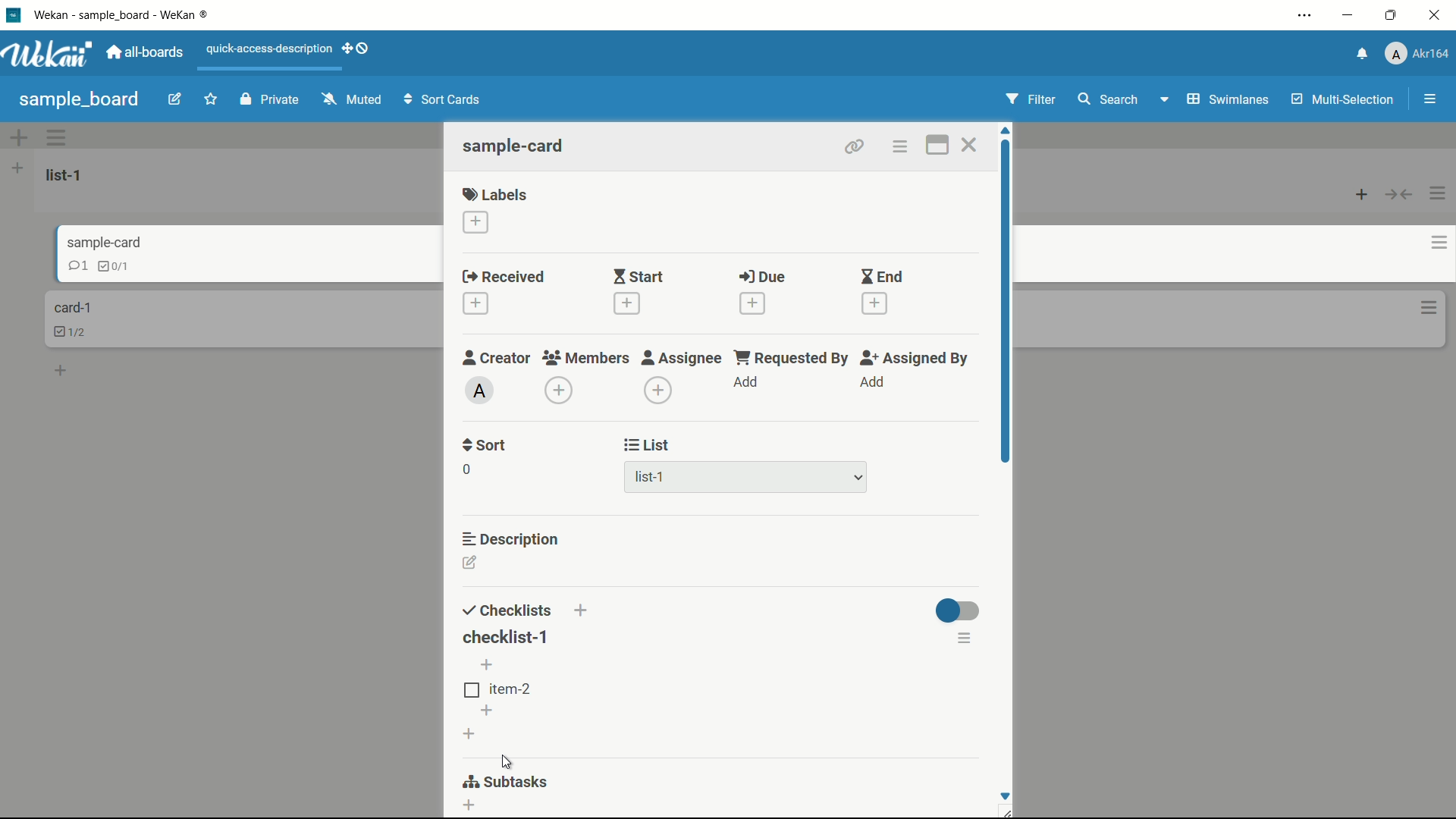 The width and height of the screenshot is (1456, 819). I want to click on checklist, so click(111, 265).